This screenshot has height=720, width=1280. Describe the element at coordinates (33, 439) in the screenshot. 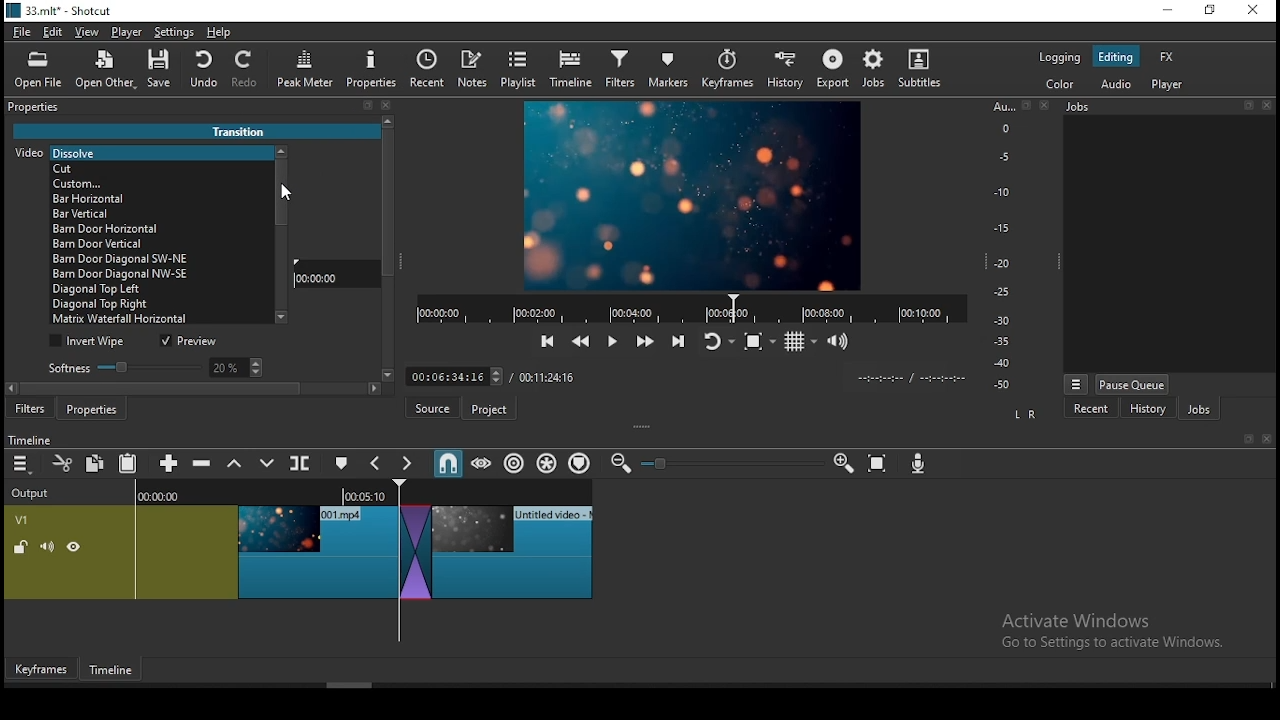

I see `timeline` at that location.